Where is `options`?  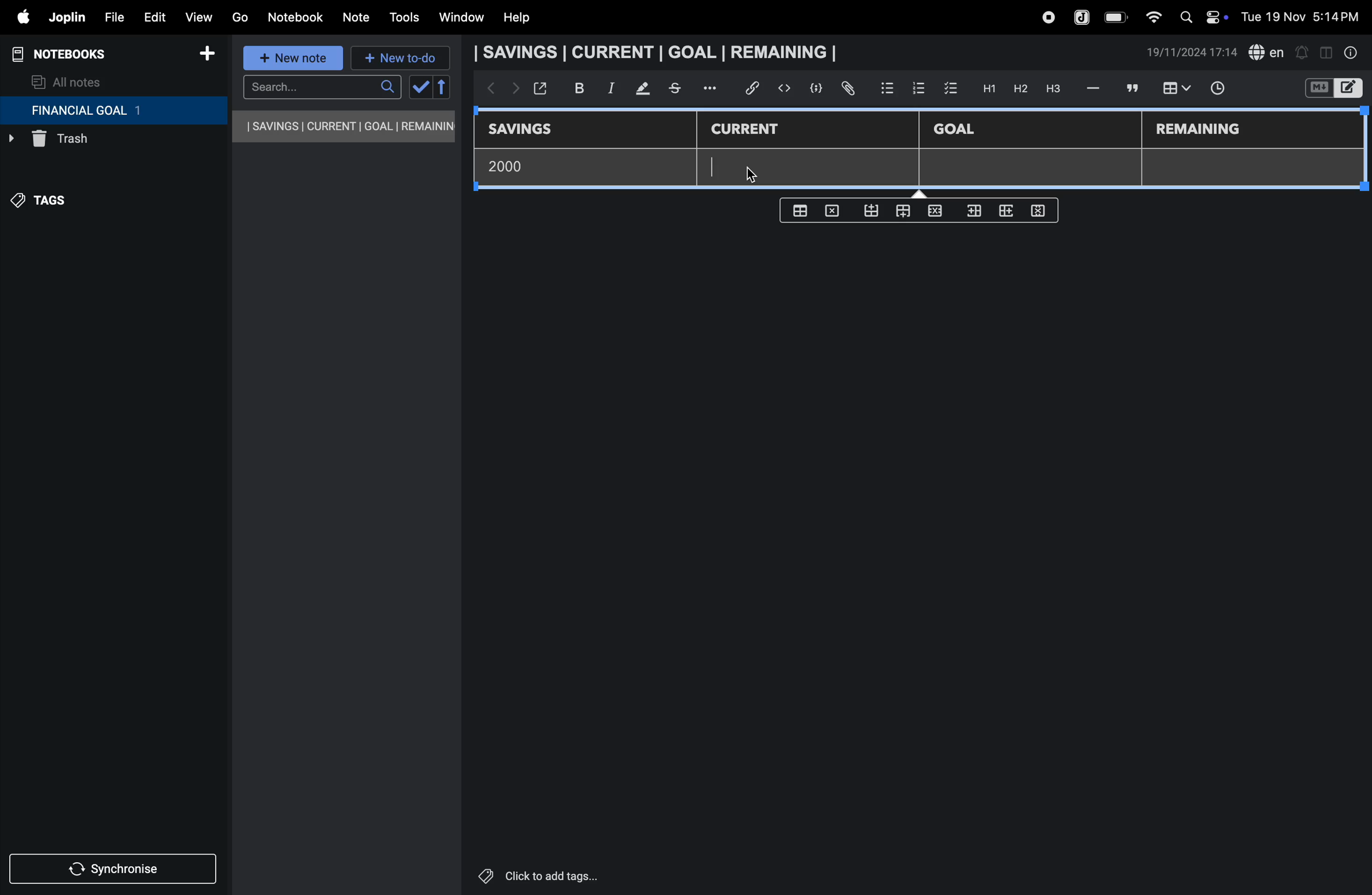 options is located at coordinates (712, 88).